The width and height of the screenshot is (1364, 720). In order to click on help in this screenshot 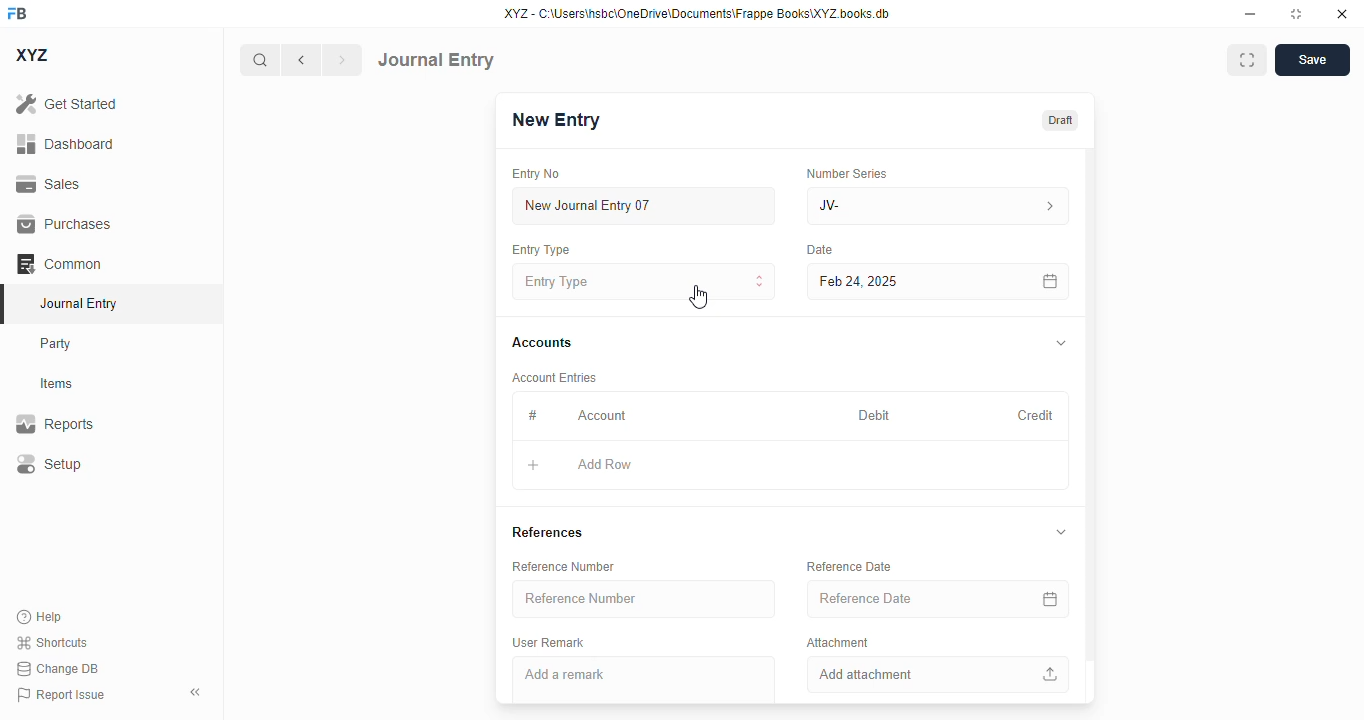, I will do `click(40, 617)`.